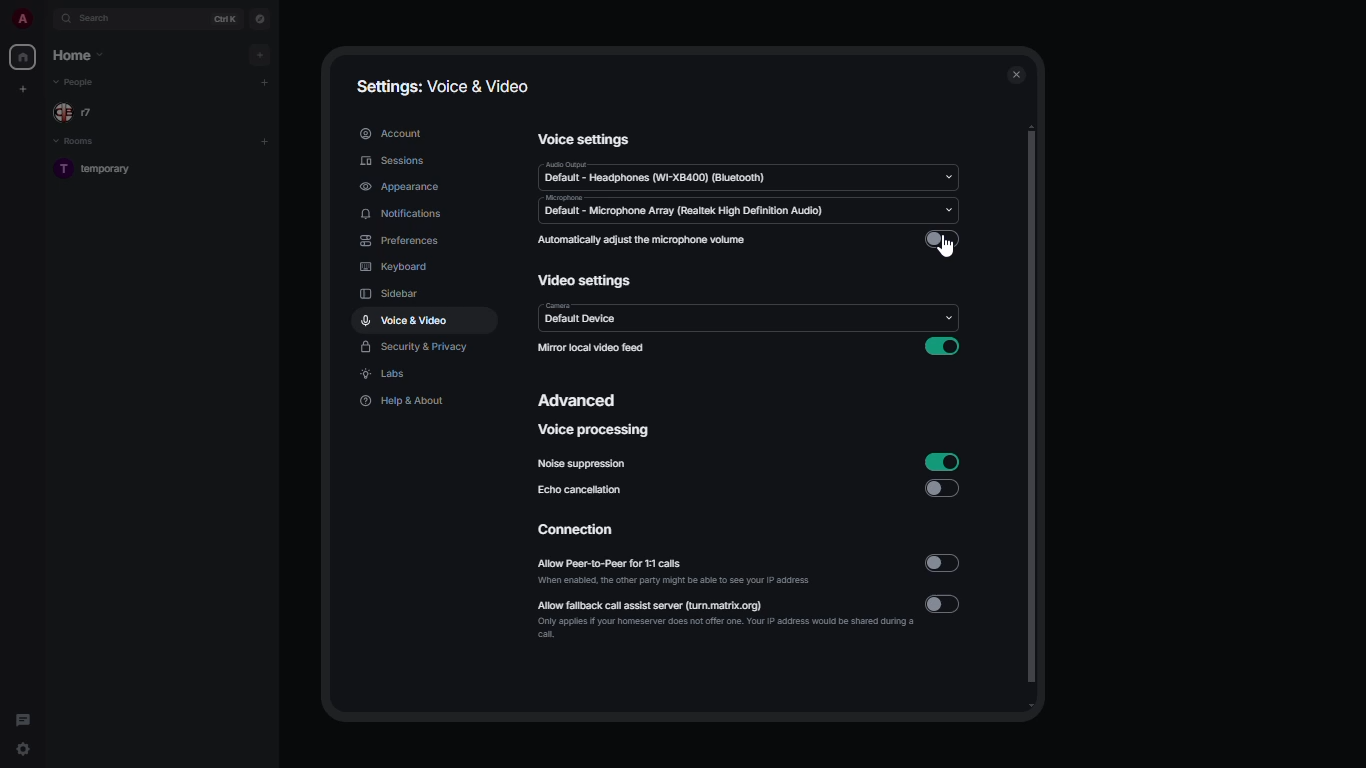 This screenshot has width=1366, height=768. What do you see at coordinates (265, 82) in the screenshot?
I see `add` at bounding box center [265, 82].